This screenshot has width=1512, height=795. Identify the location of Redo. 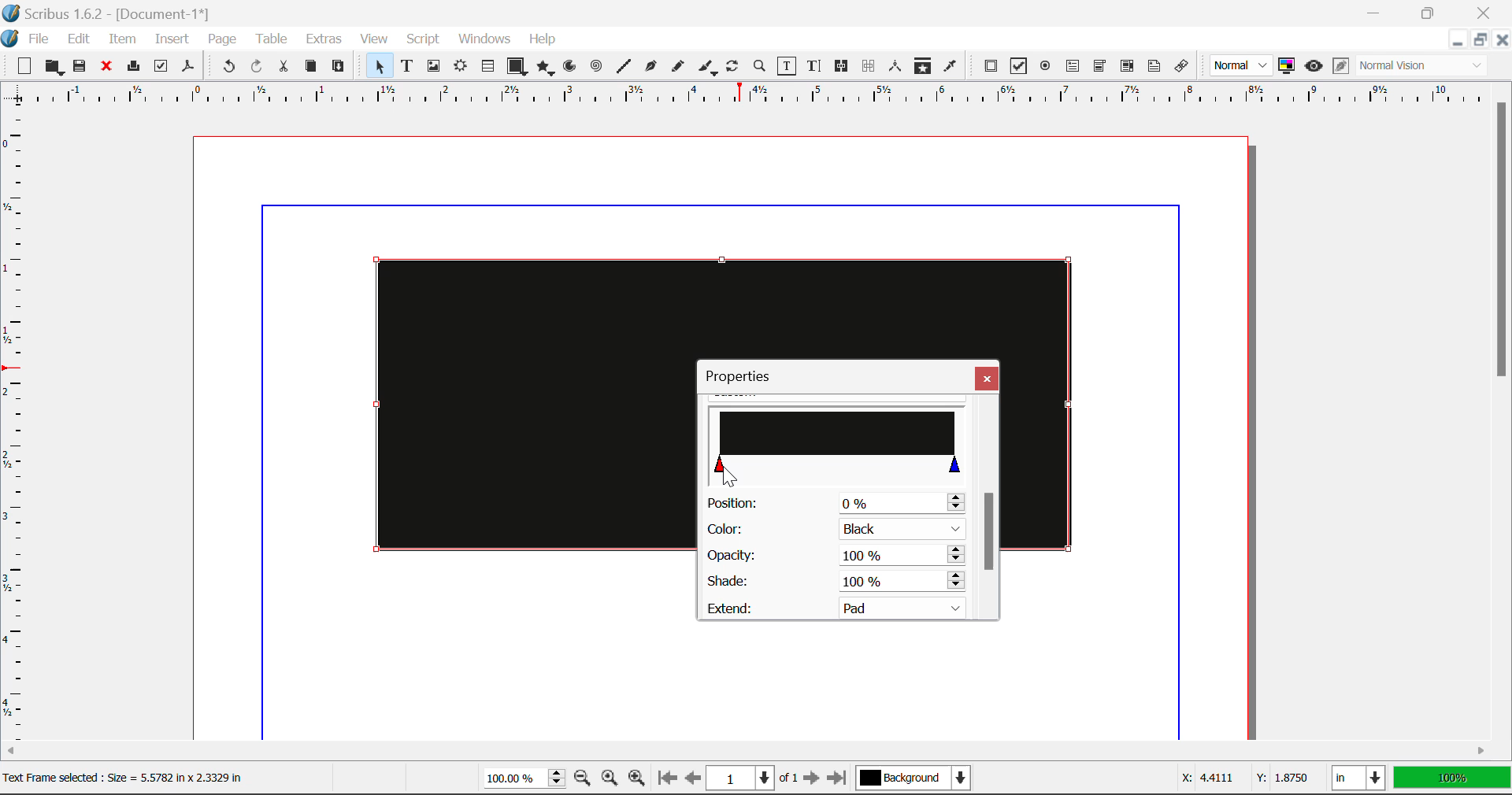
(257, 68).